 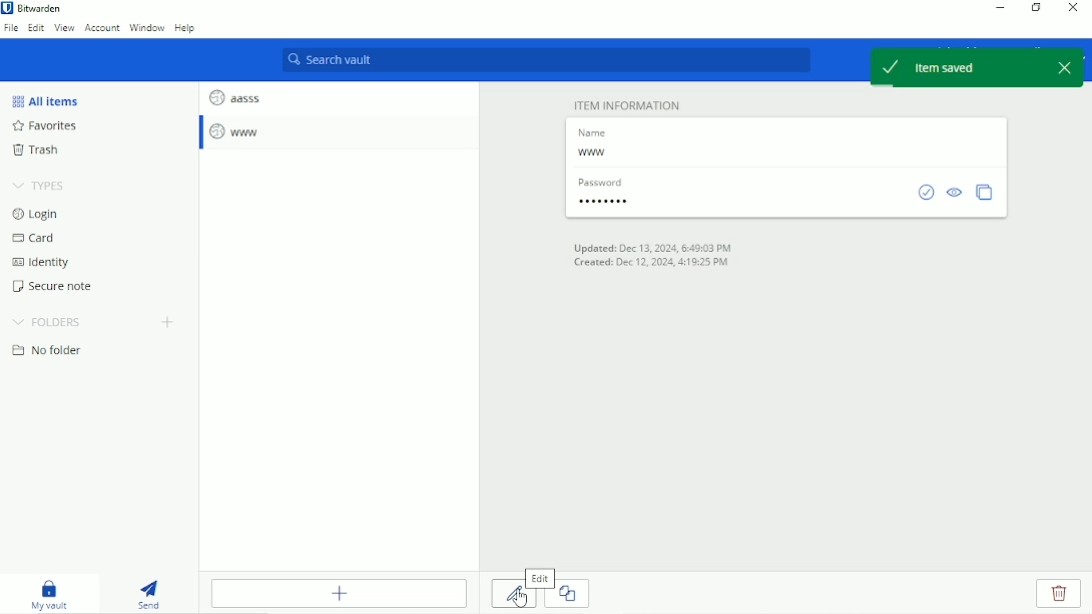 What do you see at coordinates (954, 191) in the screenshot?
I see `Toggle visibility` at bounding box center [954, 191].